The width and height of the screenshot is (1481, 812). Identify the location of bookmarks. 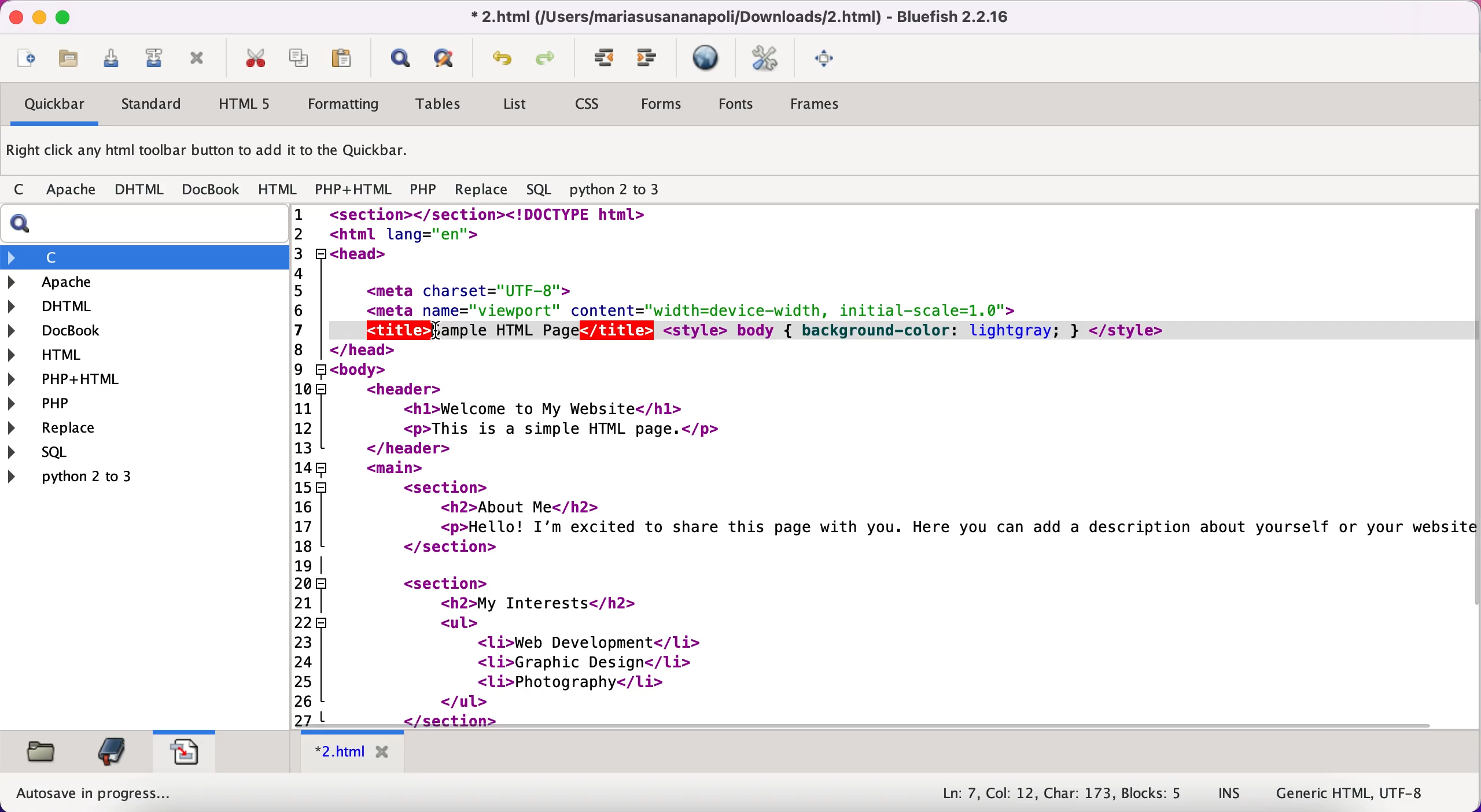
(111, 751).